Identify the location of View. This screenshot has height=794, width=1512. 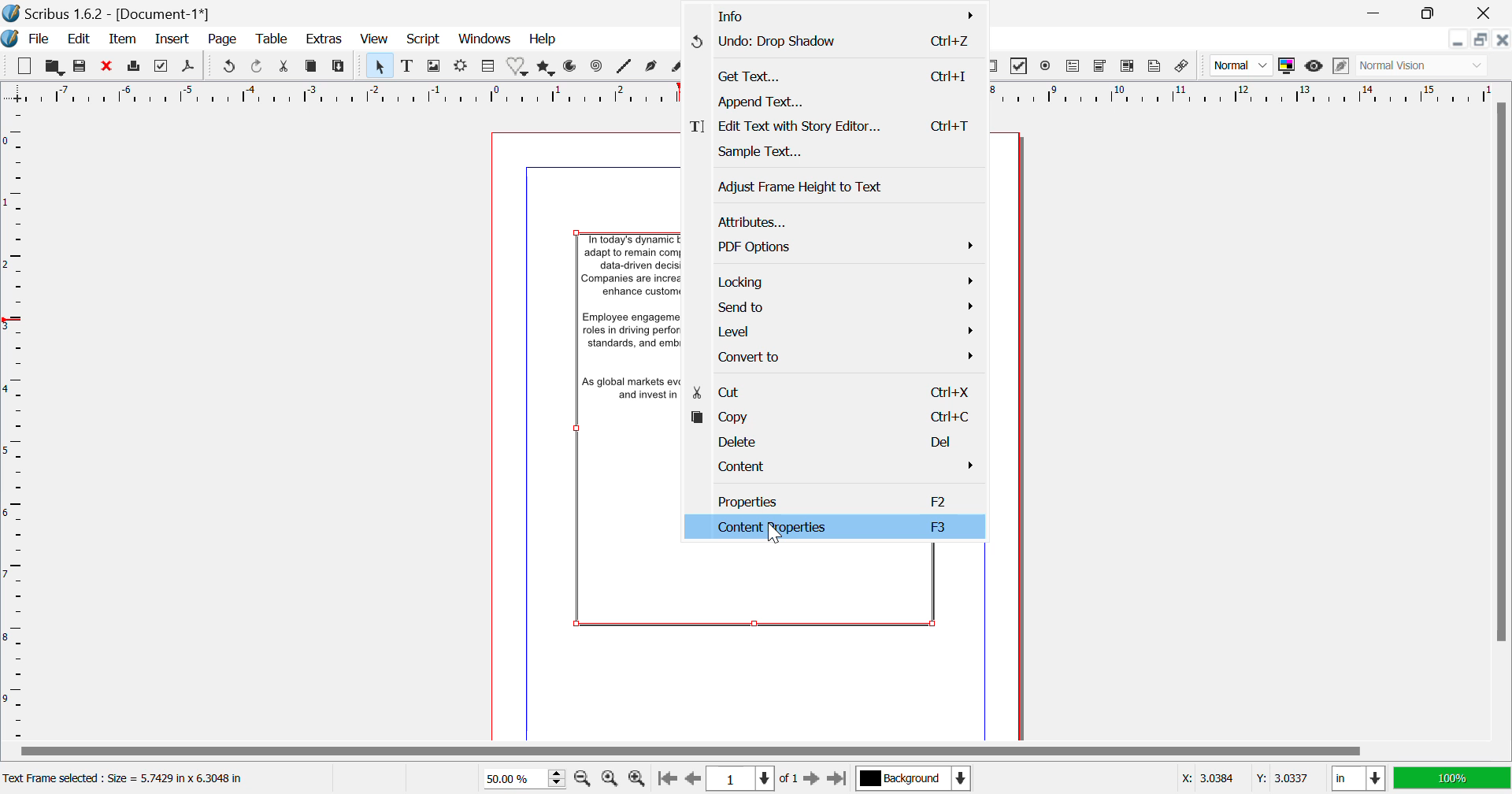
(372, 39).